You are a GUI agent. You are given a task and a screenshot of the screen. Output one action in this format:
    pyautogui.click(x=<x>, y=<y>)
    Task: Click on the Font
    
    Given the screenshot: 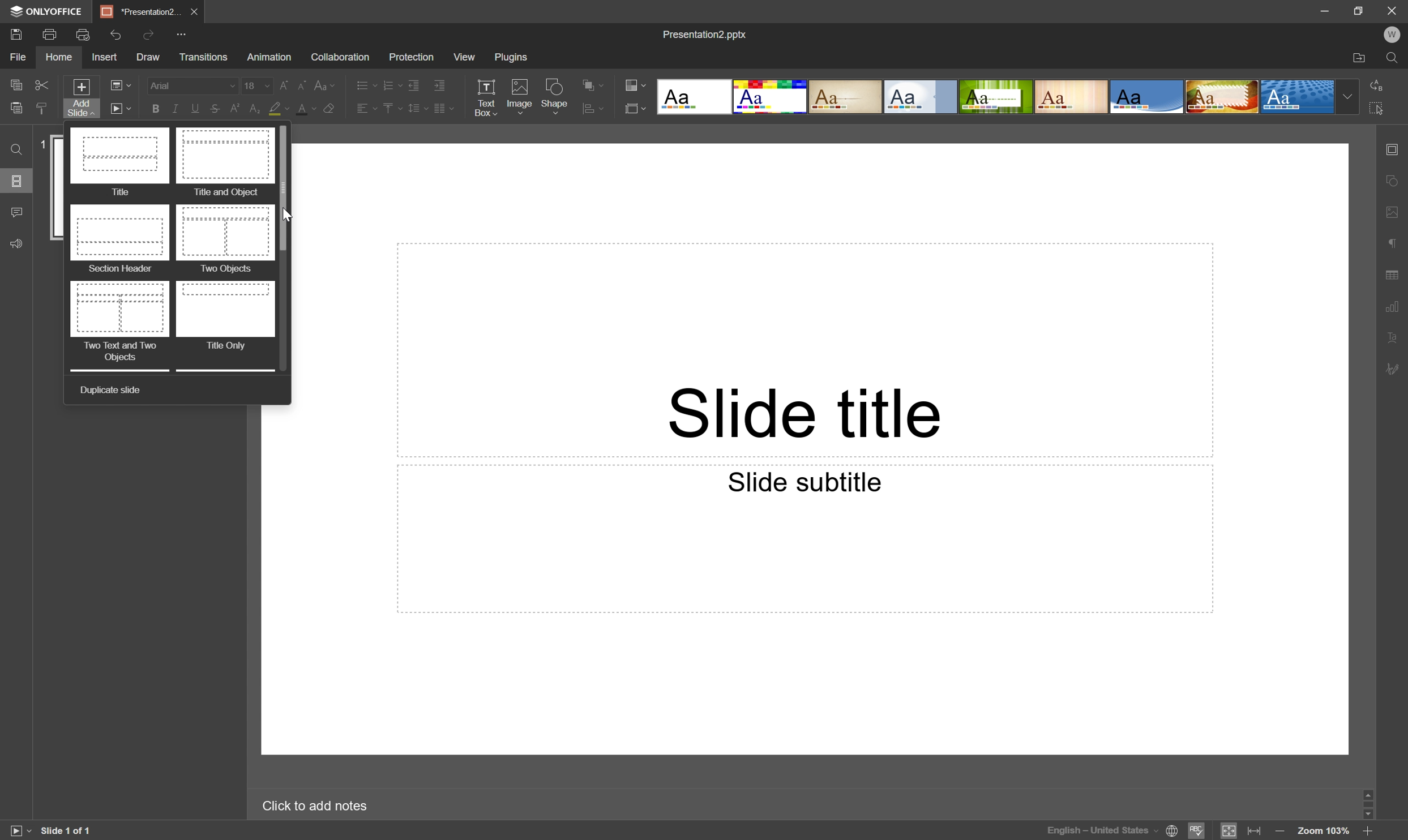 What is the action you would take?
    pyautogui.click(x=191, y=85)
    